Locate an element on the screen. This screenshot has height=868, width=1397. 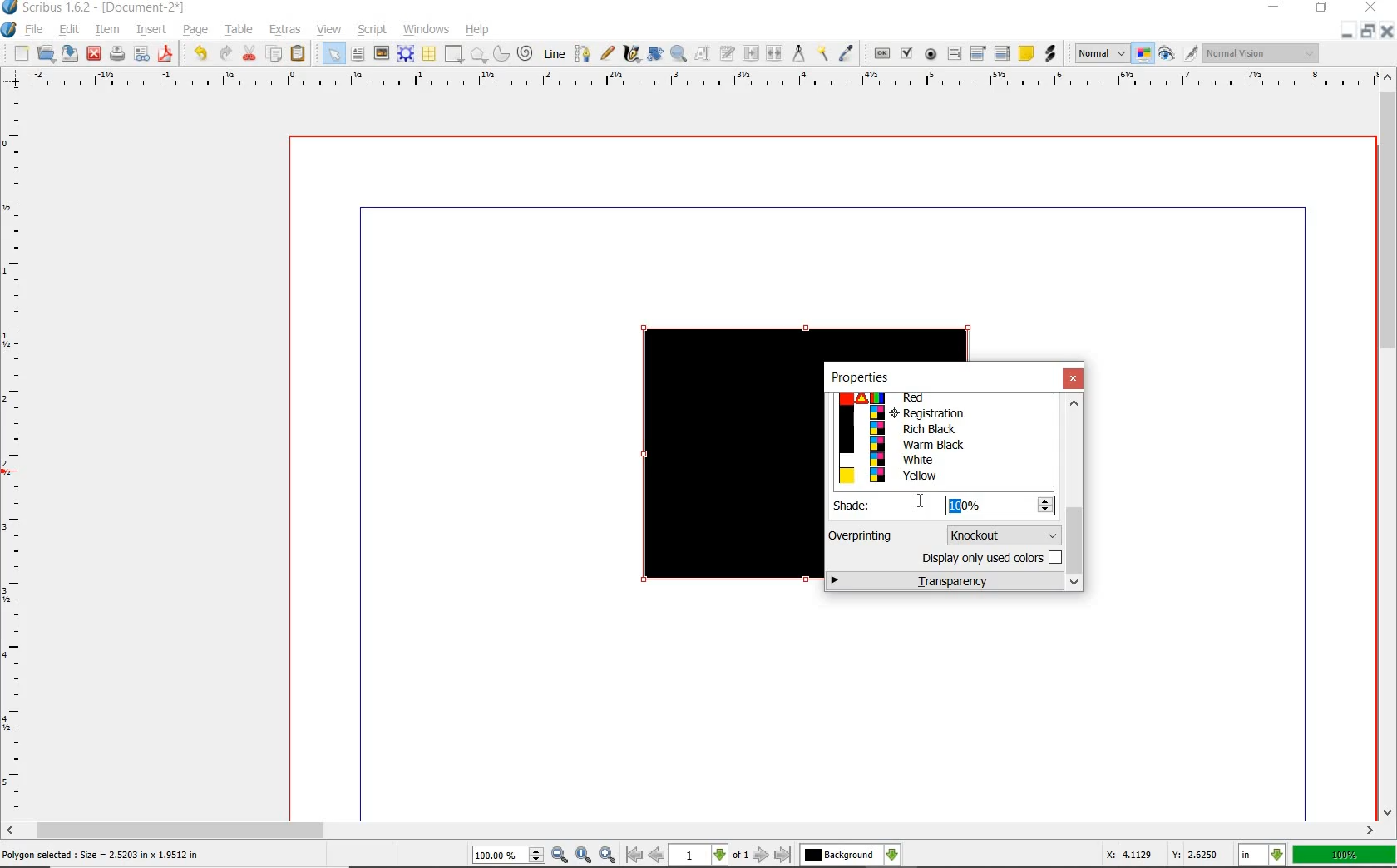
measurement is located at coordinates (801, 55).